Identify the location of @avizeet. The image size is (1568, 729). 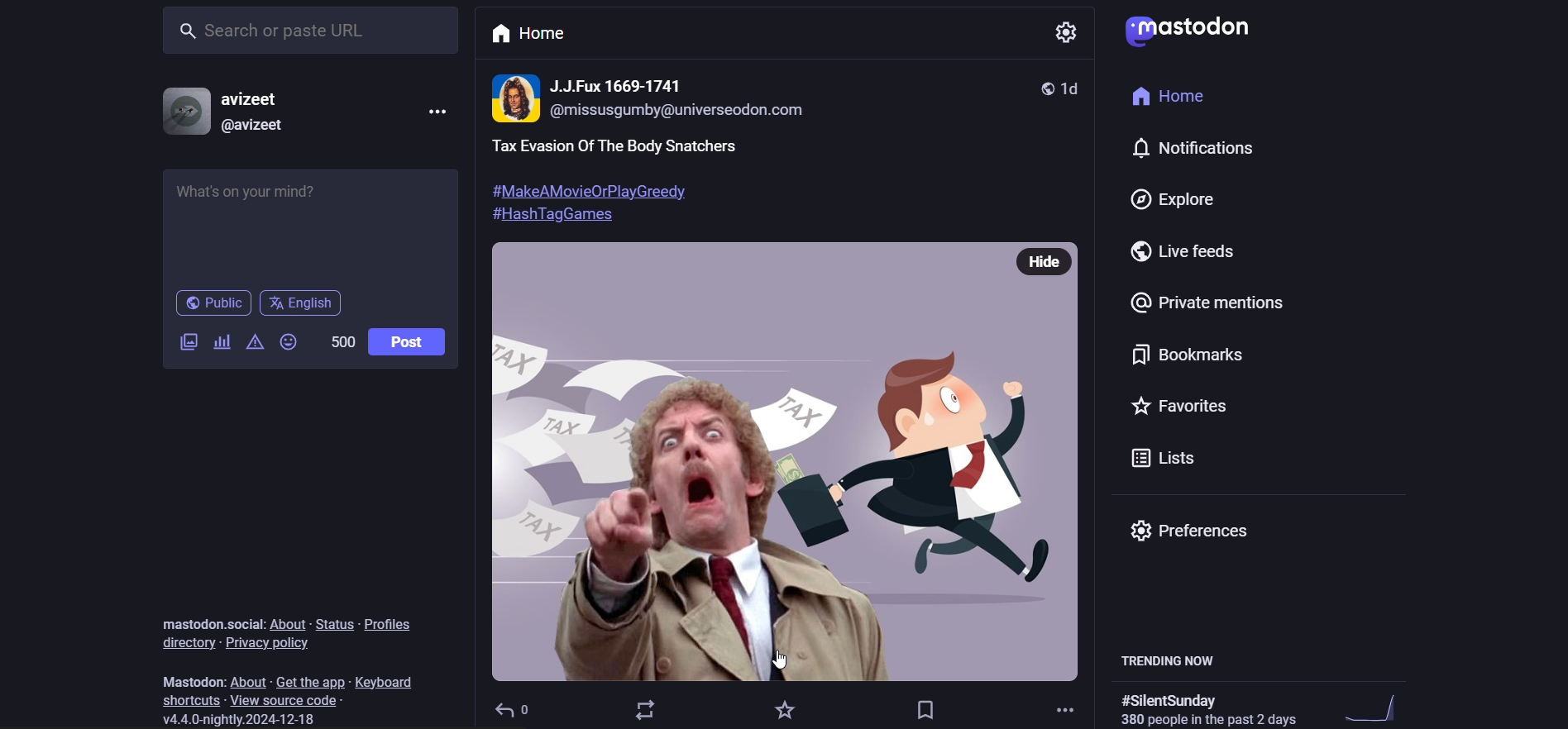
(258, 127).